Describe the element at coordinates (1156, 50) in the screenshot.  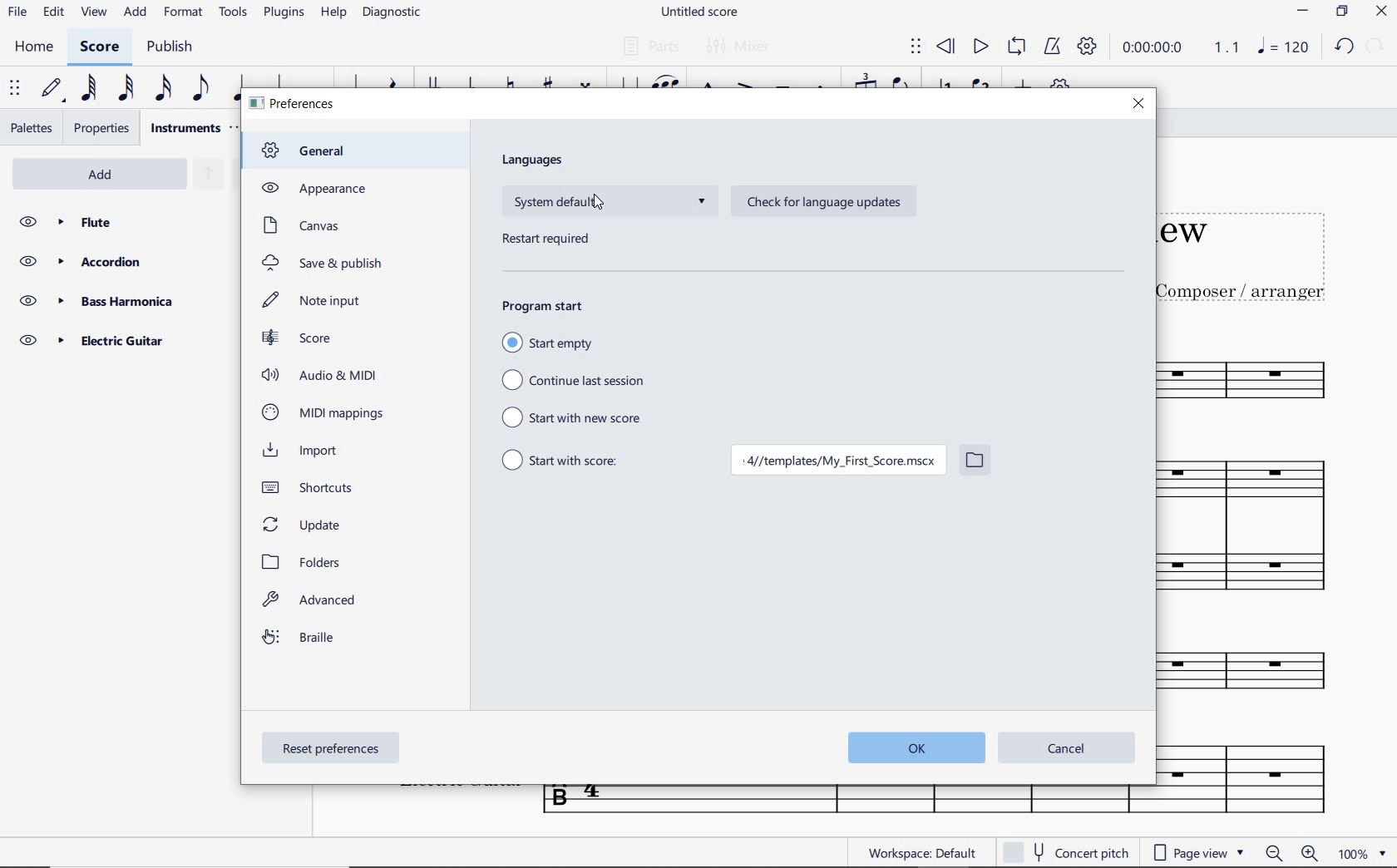
I see `playback time` at that location.